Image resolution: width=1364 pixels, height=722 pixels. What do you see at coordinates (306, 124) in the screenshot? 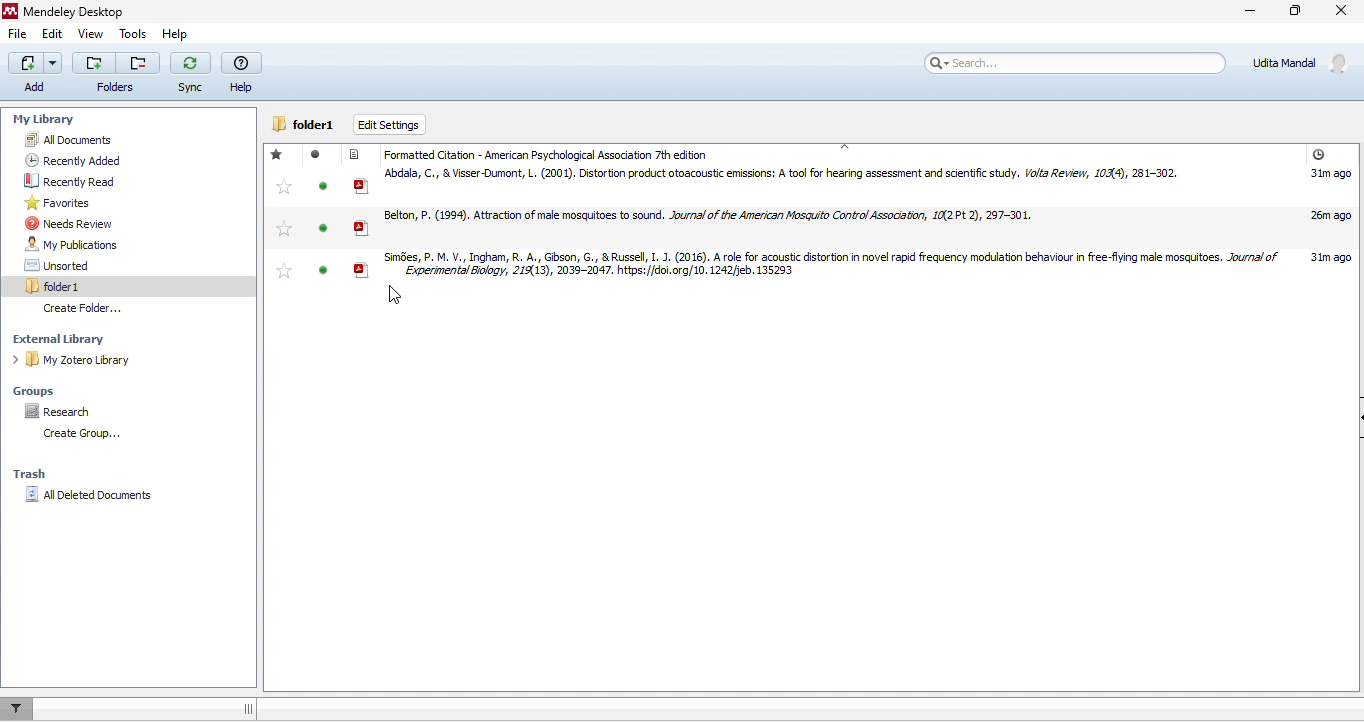
I see `folder1` at bounding box center [306, 124].